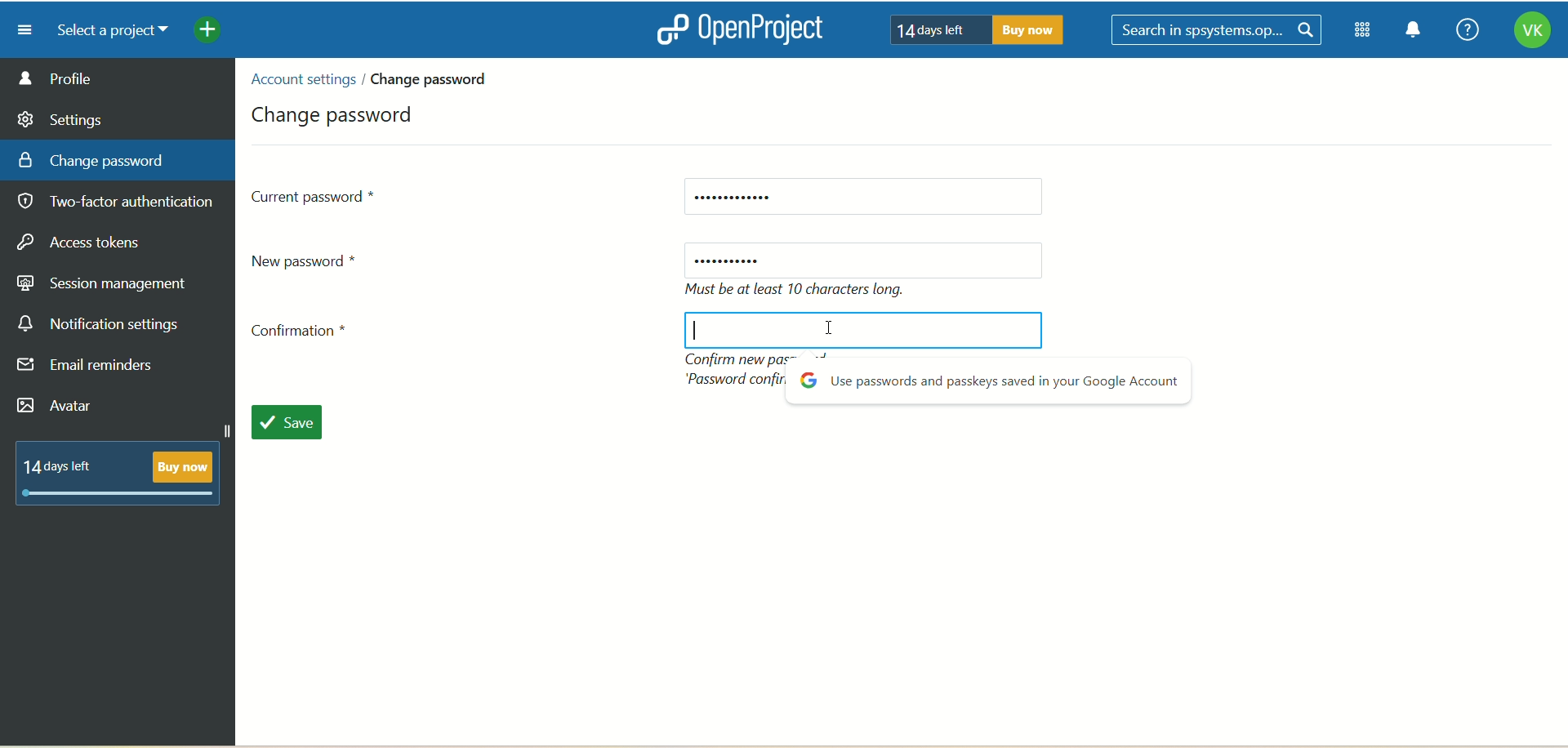  I want to click on confirmation, so click(305, 335).